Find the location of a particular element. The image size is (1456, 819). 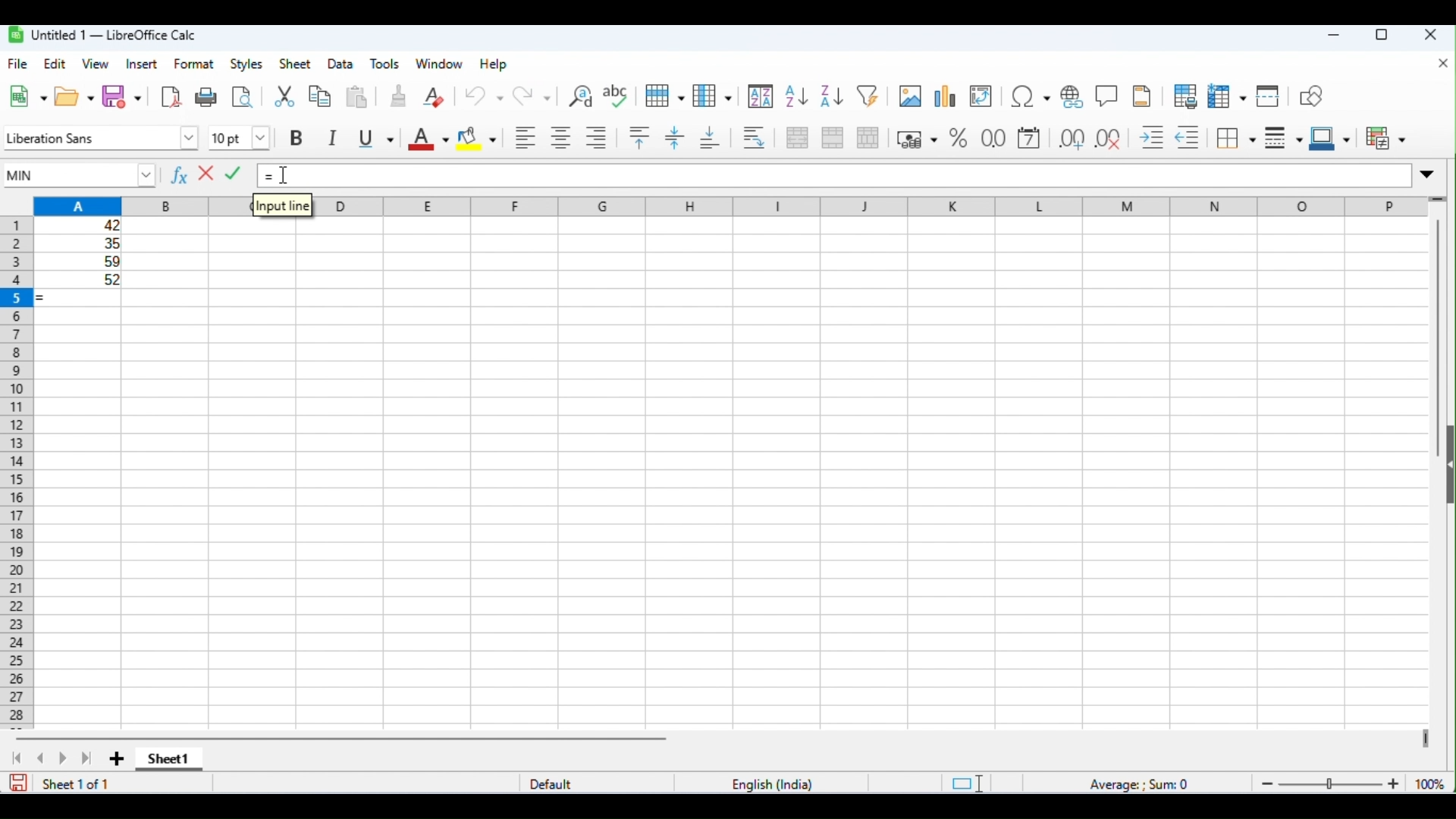

sheet is located at coordinates (294, 64).